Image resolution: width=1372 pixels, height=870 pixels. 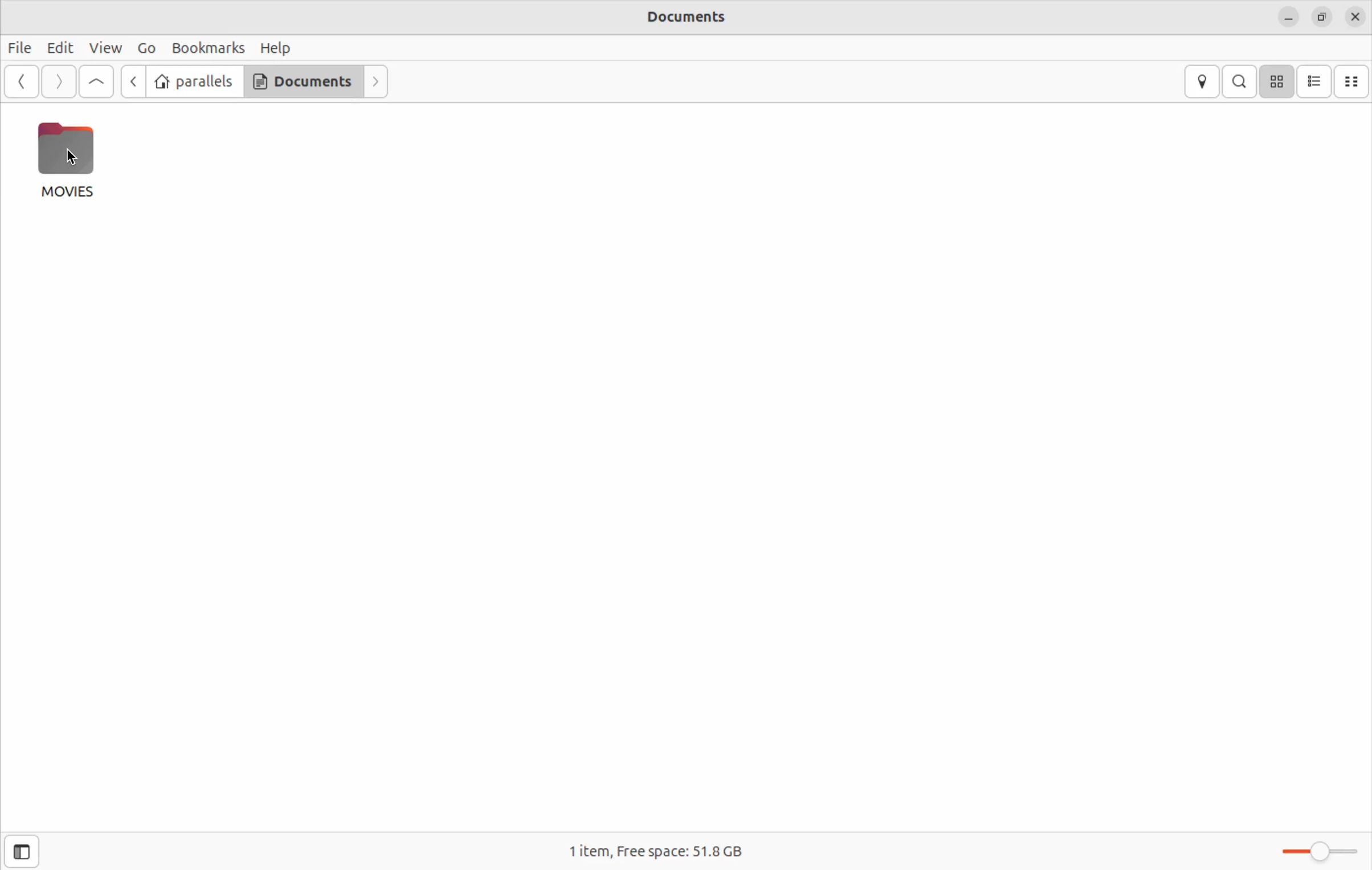 I want to click on toggle zoom, so click(x=1314, y=851).